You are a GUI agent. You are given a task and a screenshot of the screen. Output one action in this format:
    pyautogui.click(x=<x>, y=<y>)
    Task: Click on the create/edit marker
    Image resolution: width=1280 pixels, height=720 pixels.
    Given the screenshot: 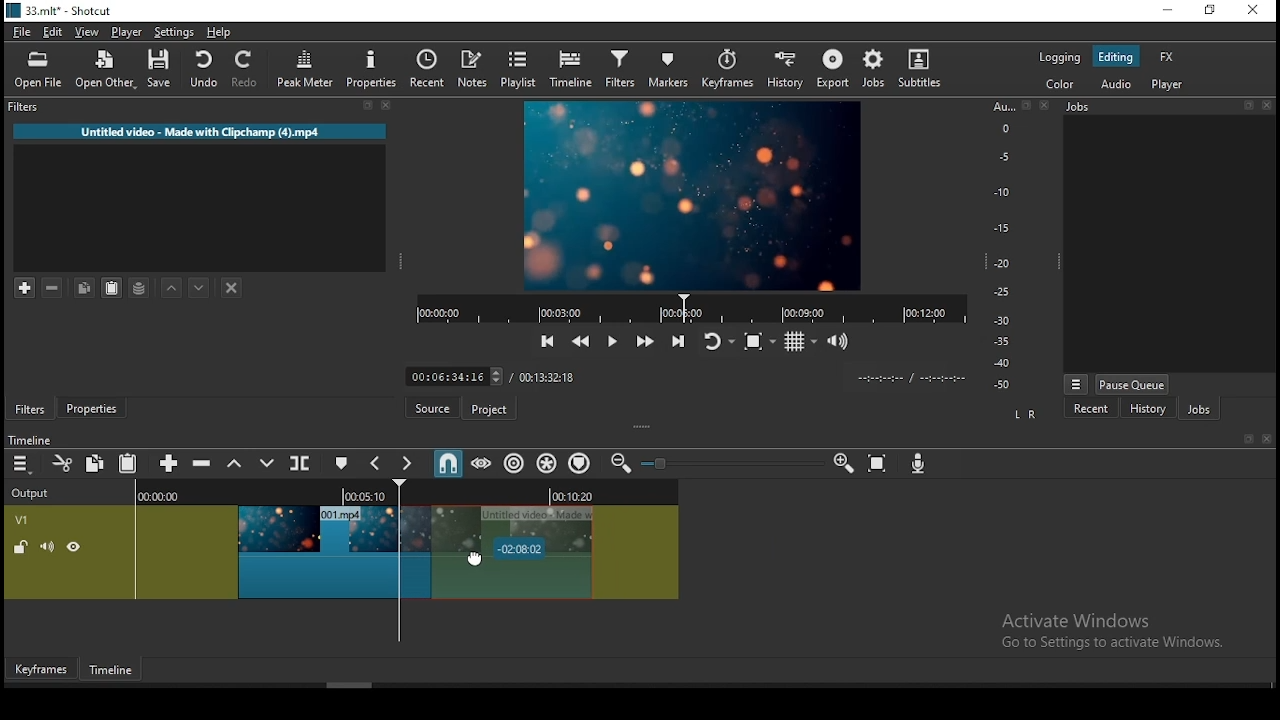 What is the action you would take?
    pyautogui.click(x=344, y=464)
    